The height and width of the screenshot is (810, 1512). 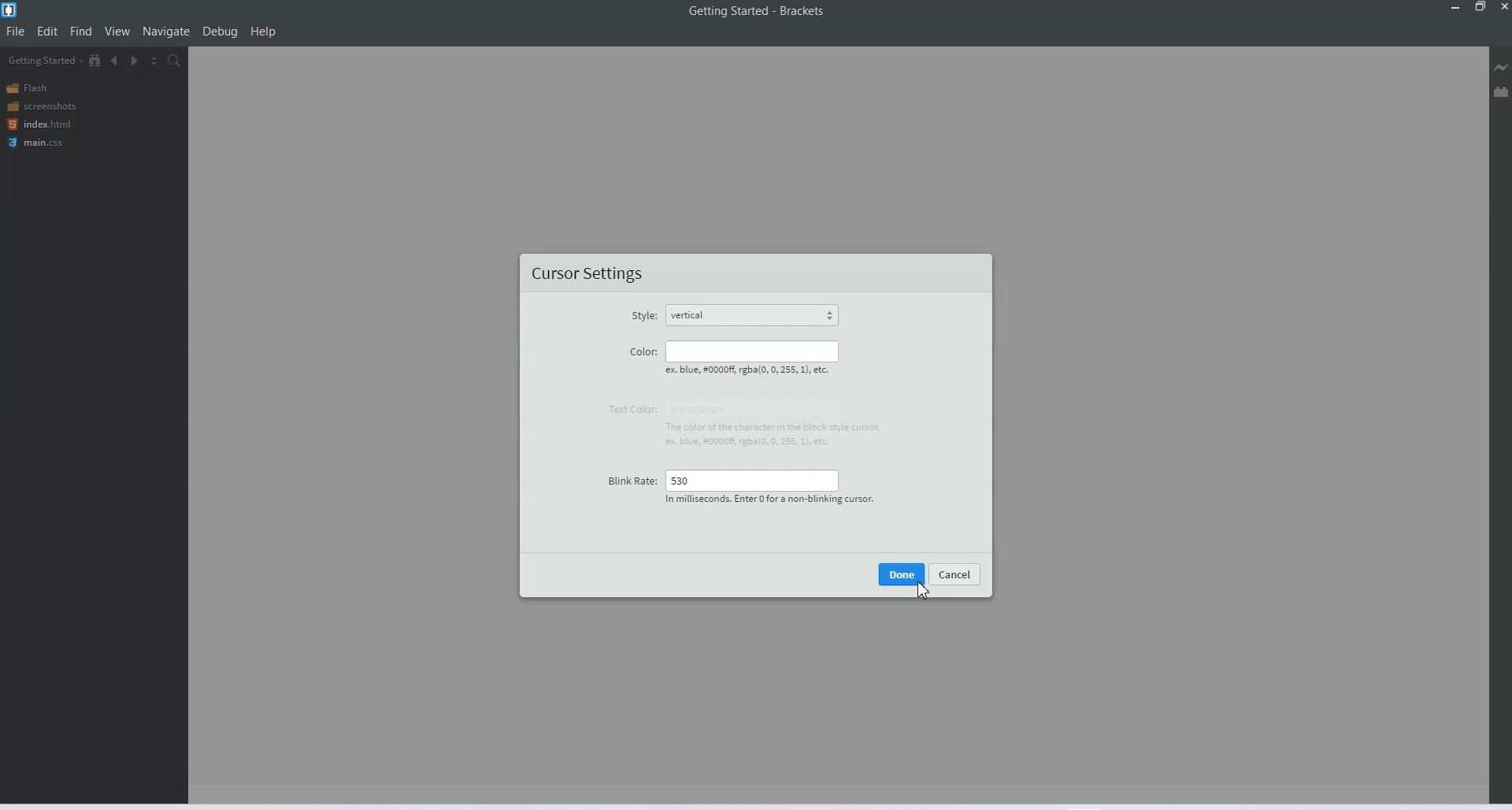 I want to click on Navigate Forwards, so click(x=135, y=61).